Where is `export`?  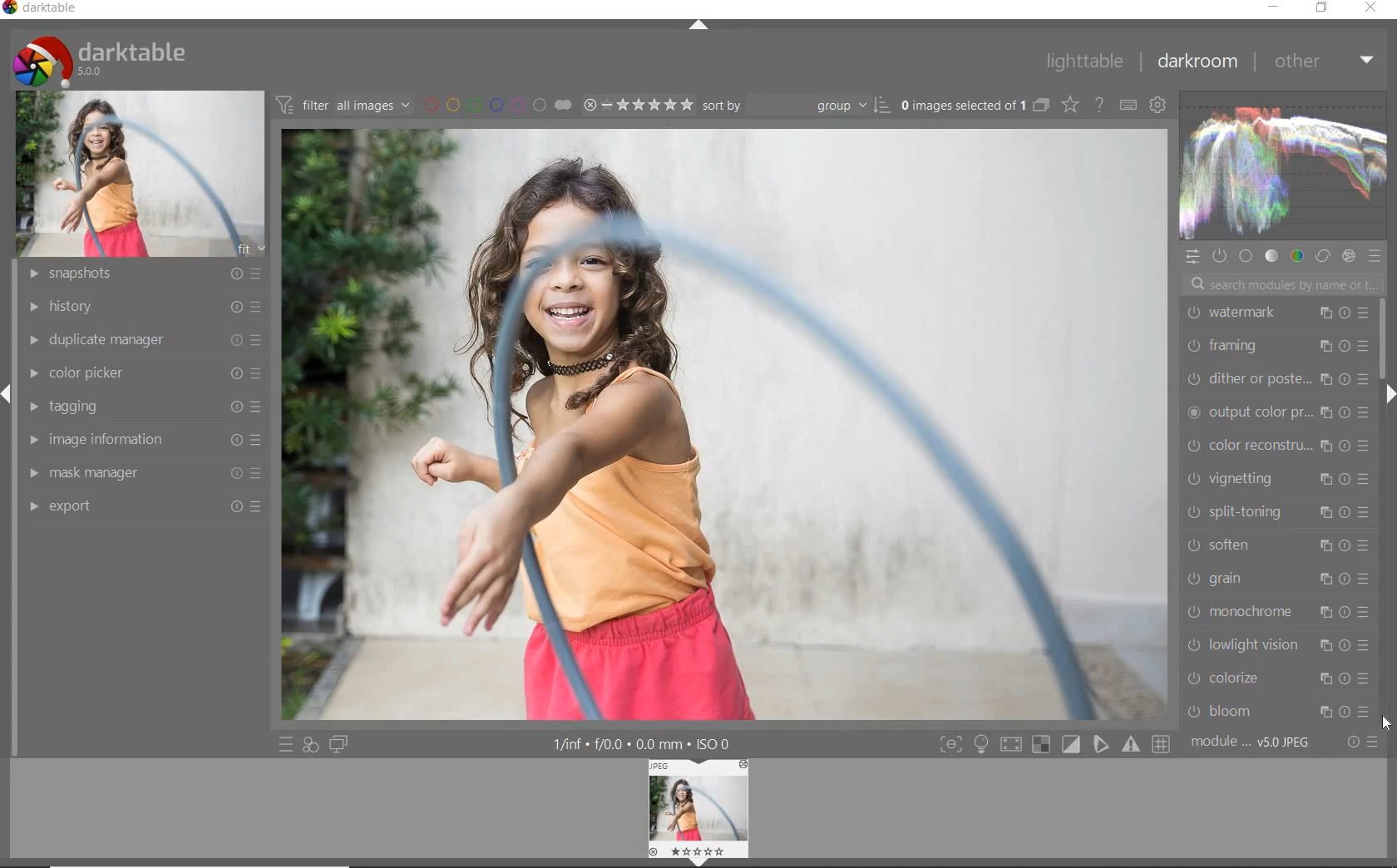 export is located at coordinates (144, 506).